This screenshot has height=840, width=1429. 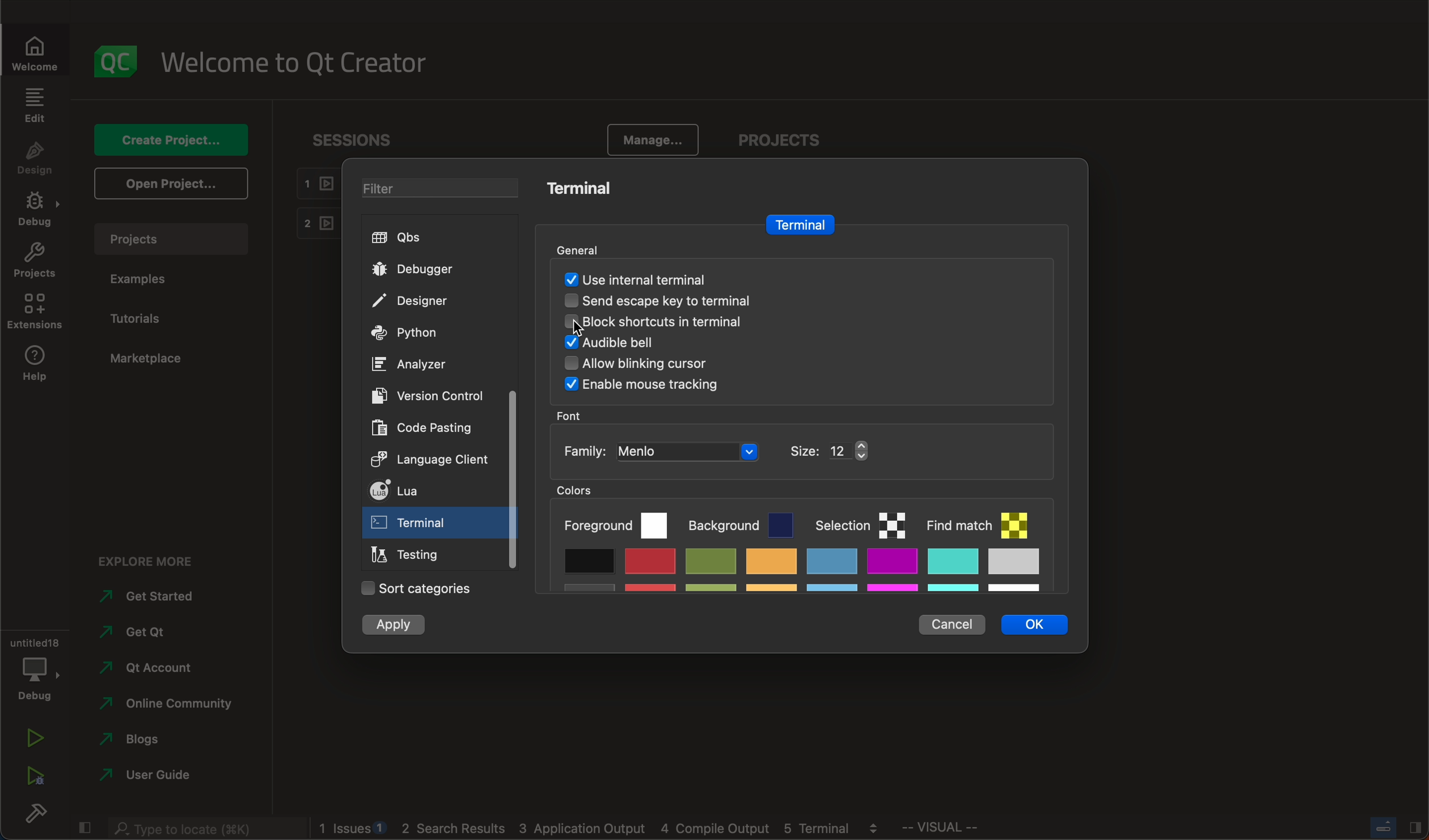 What do you see at coordinates (580, 190) in the screenshot?
I see `terminal` at bounding box center [580, 190].